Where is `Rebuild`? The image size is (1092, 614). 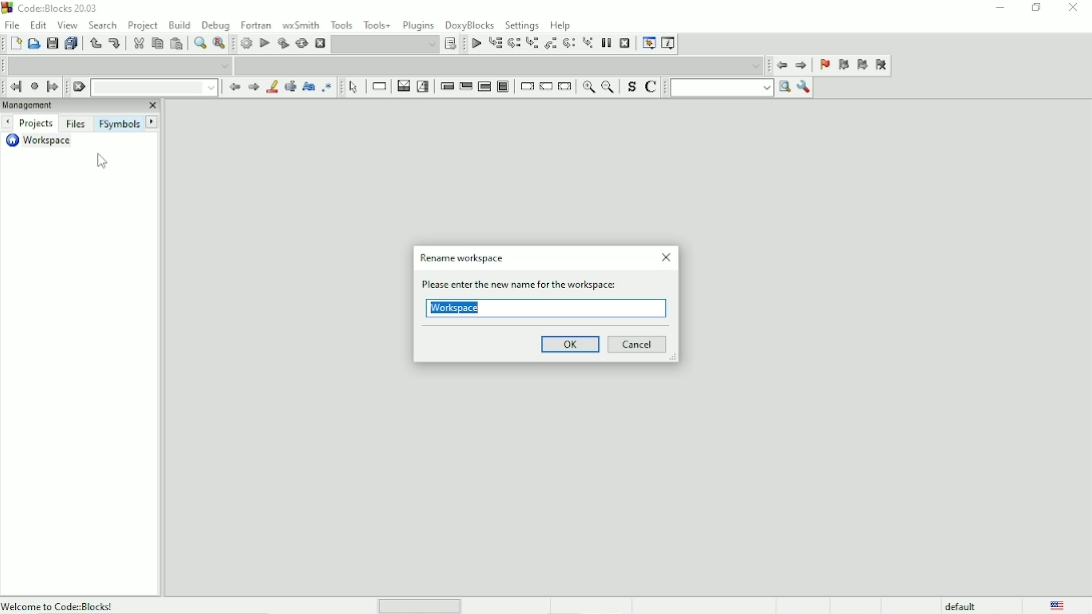 Rebuild is located at coordinates (301, 44).